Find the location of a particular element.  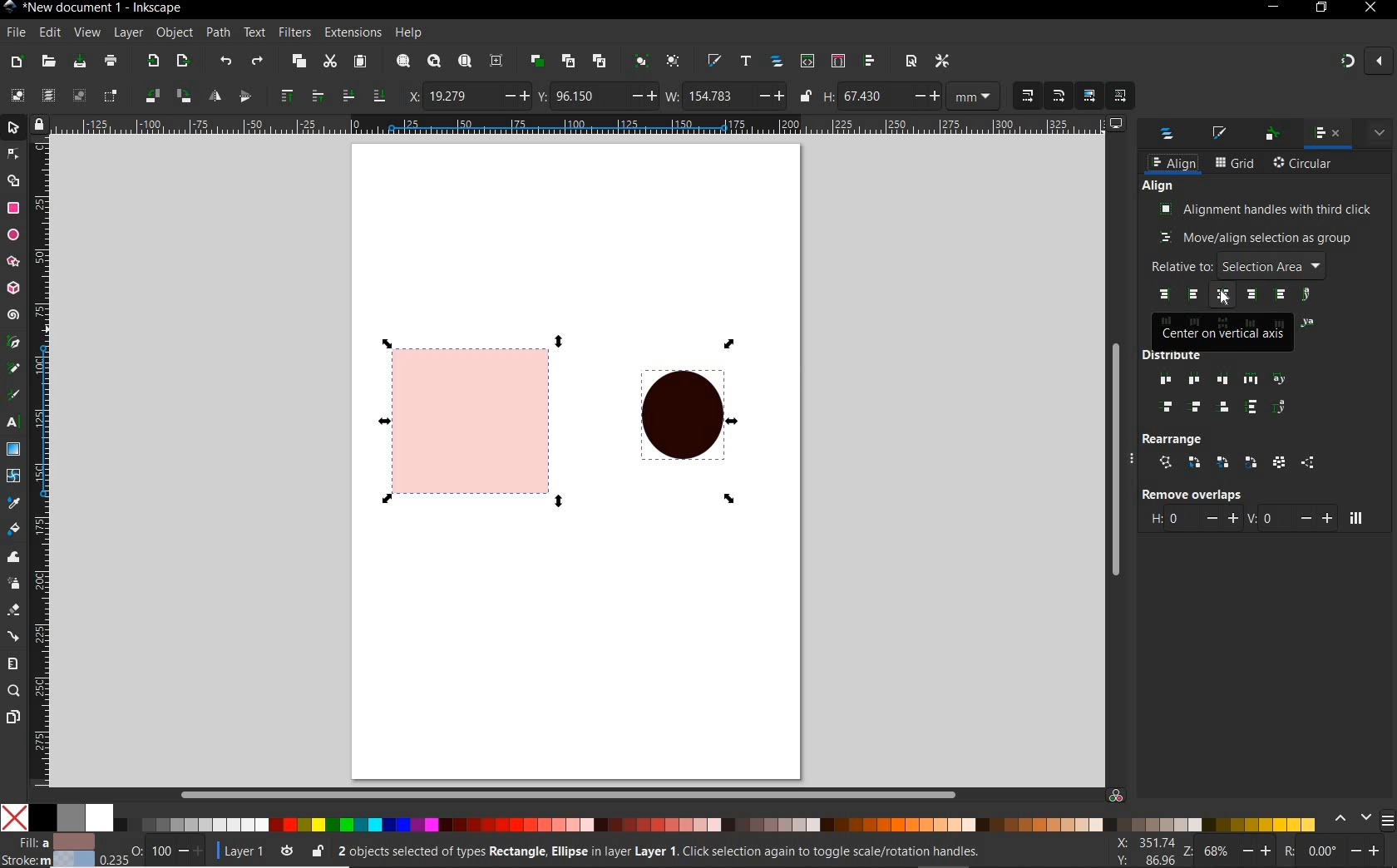

SIDEBAR is located at coordinates (1389, 821).